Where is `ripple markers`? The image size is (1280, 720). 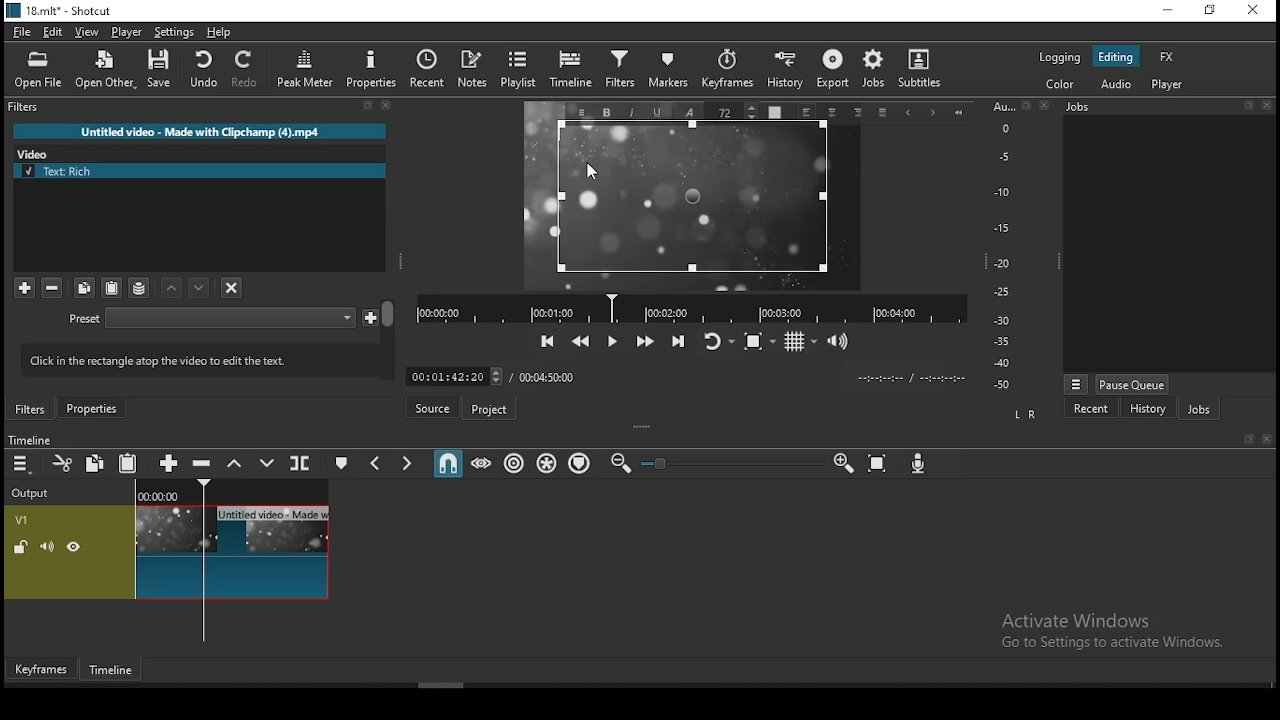 ripple markers is located at coordinates (582, 464).